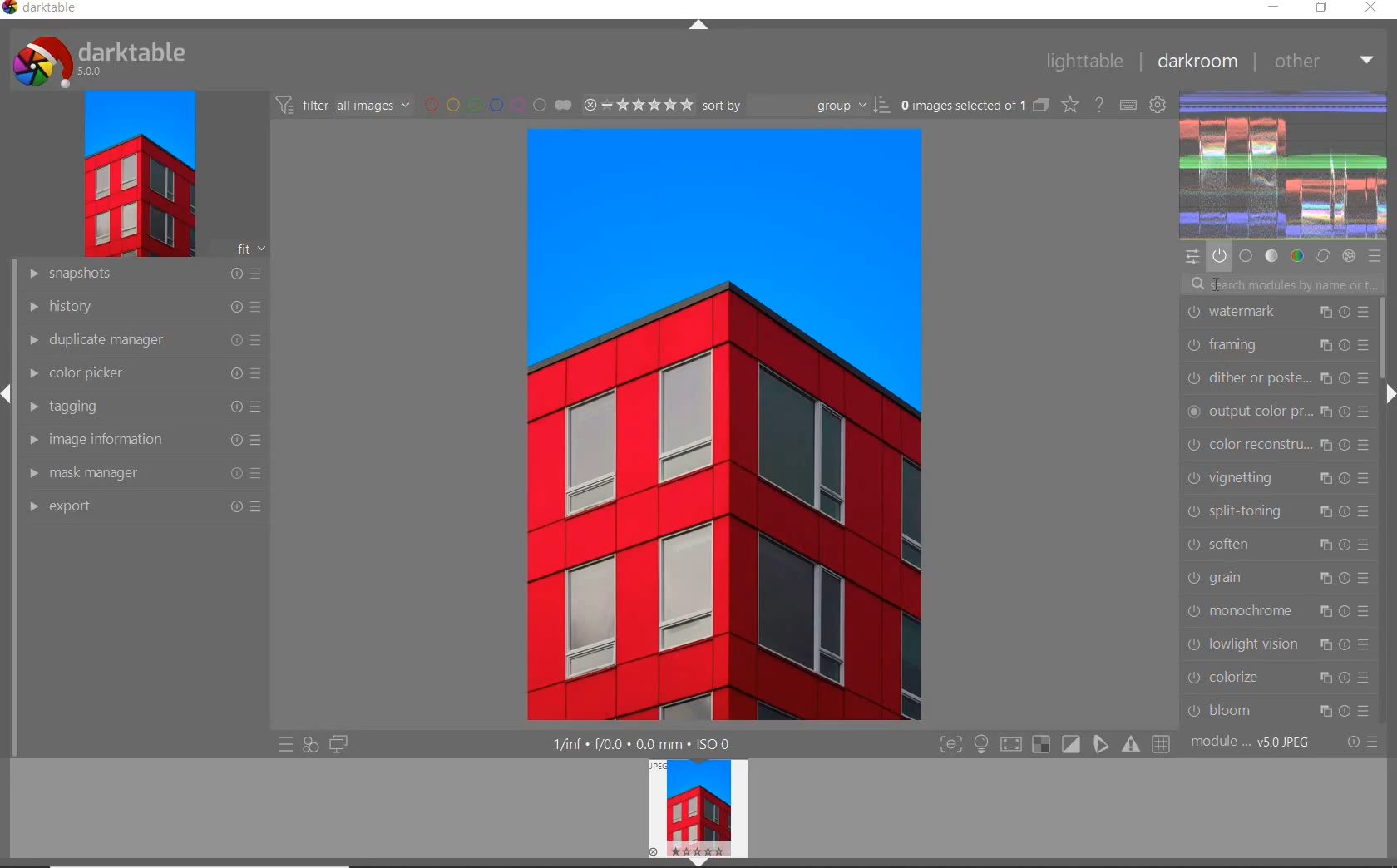 This screenshot has height=868, width=1397. What do you see at coordinates (1100, 104) in the screenshot?
I see `enable for online help` at bounding box center [1100, 104].